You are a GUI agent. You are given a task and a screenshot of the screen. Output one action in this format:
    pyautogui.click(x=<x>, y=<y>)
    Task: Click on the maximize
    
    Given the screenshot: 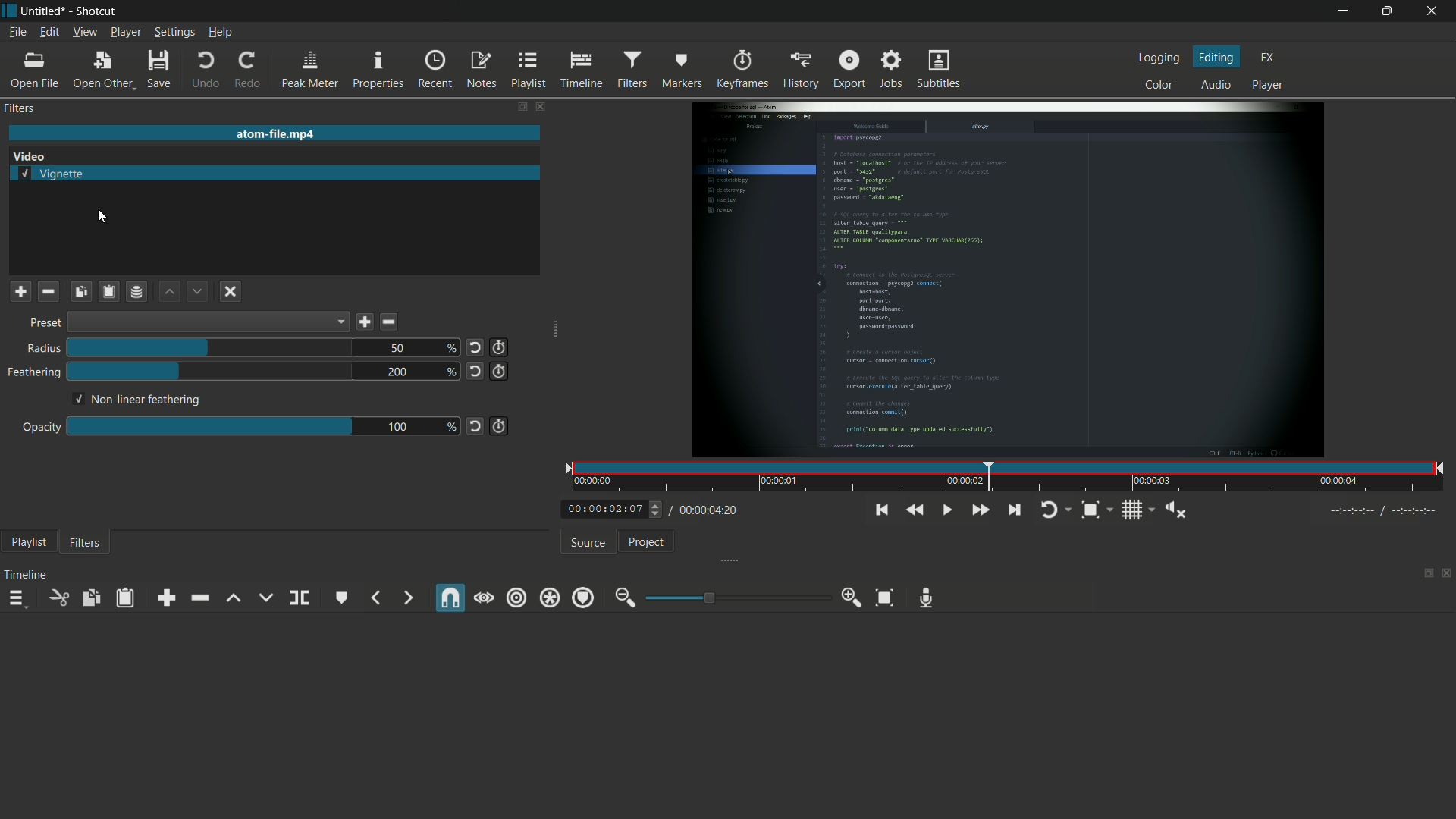 What is the action you would take?
    pyautogui.click(x=1389, y=11)
    